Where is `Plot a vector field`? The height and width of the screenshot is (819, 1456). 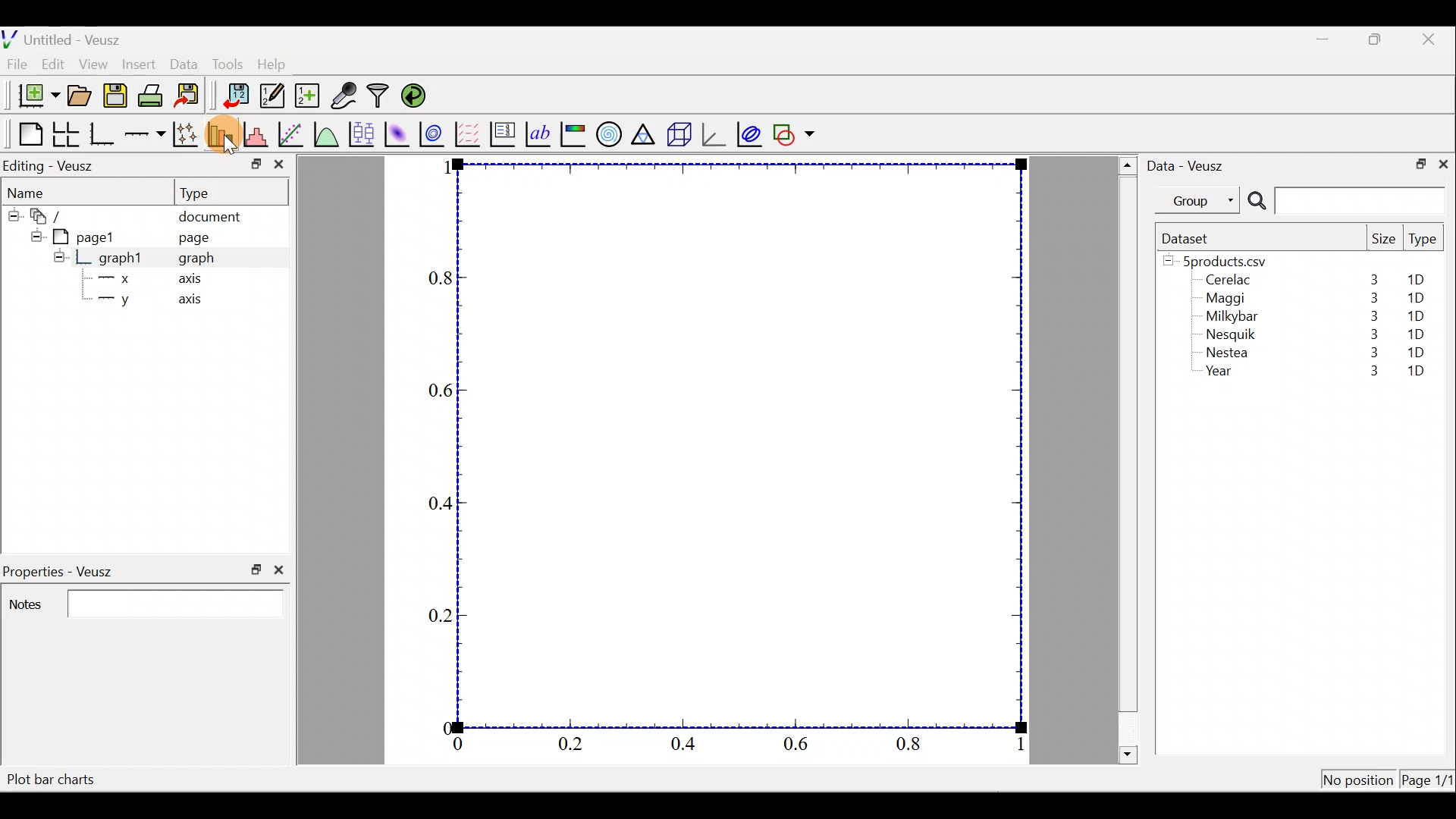 Plot a vector field is located at coordinates (470, 134).